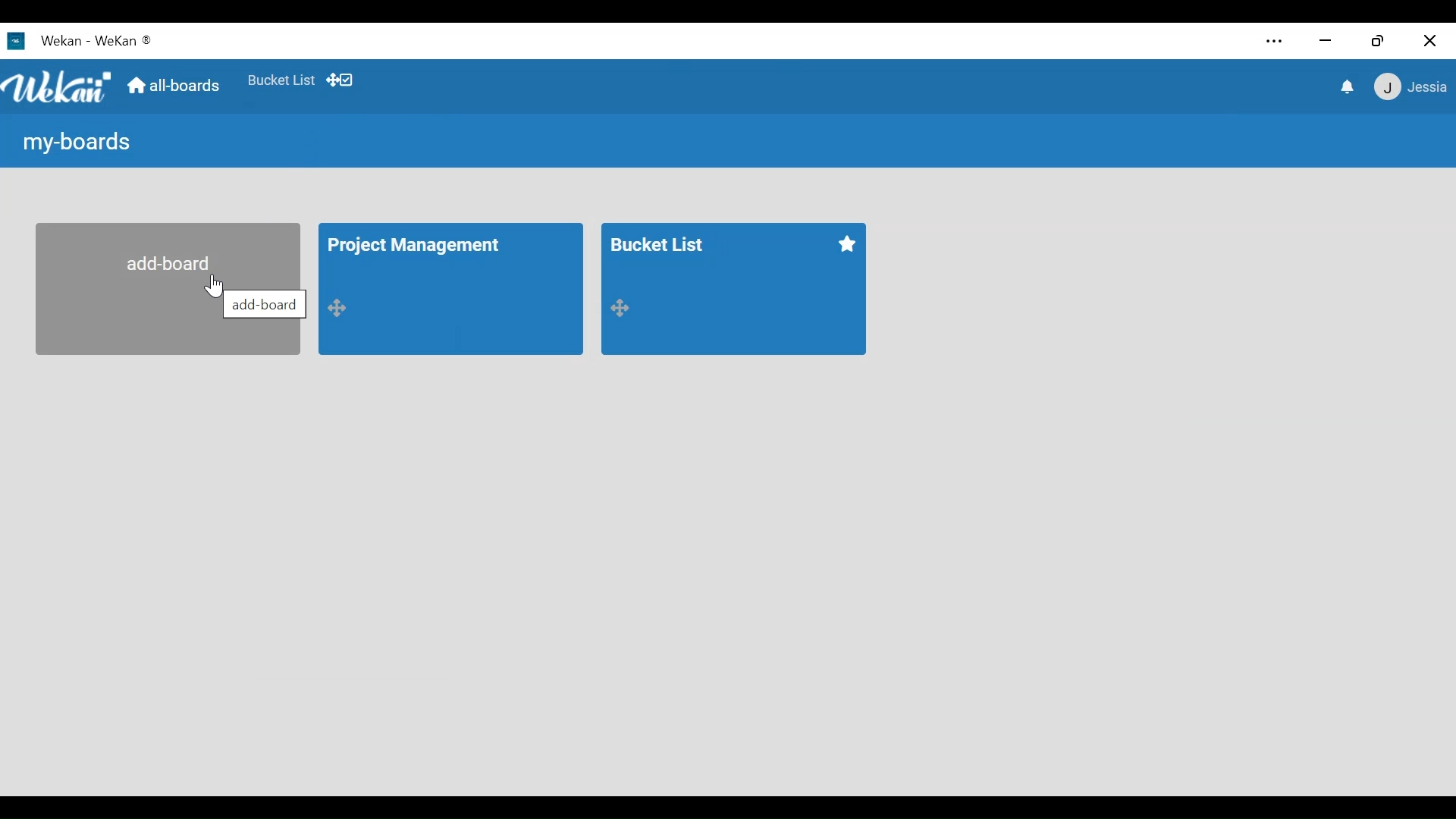  I want to click on User Member, so click(1409, 88).